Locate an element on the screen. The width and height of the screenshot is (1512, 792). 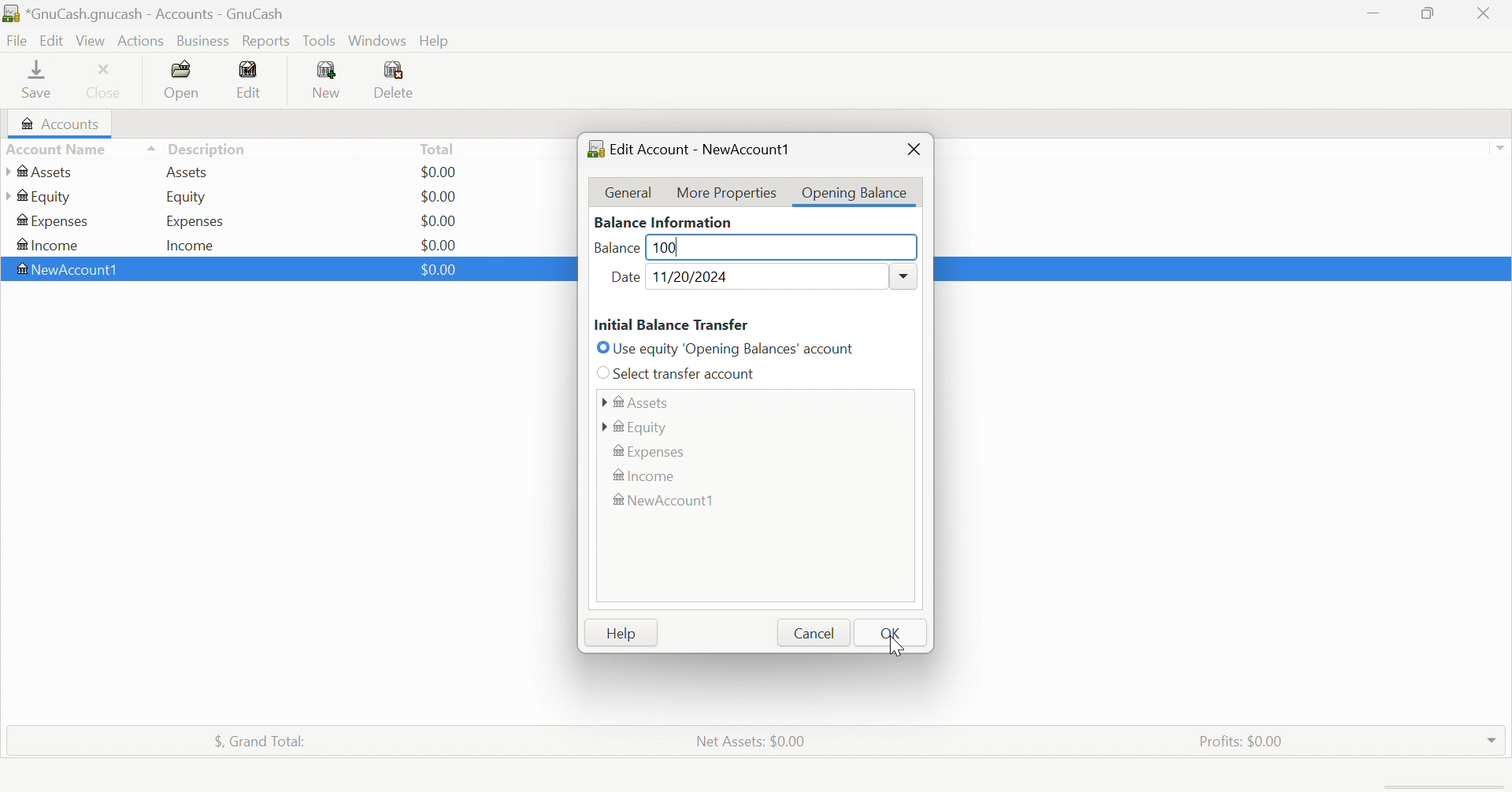
Net Assets: $0.00 is located at coordinates (751, 741).